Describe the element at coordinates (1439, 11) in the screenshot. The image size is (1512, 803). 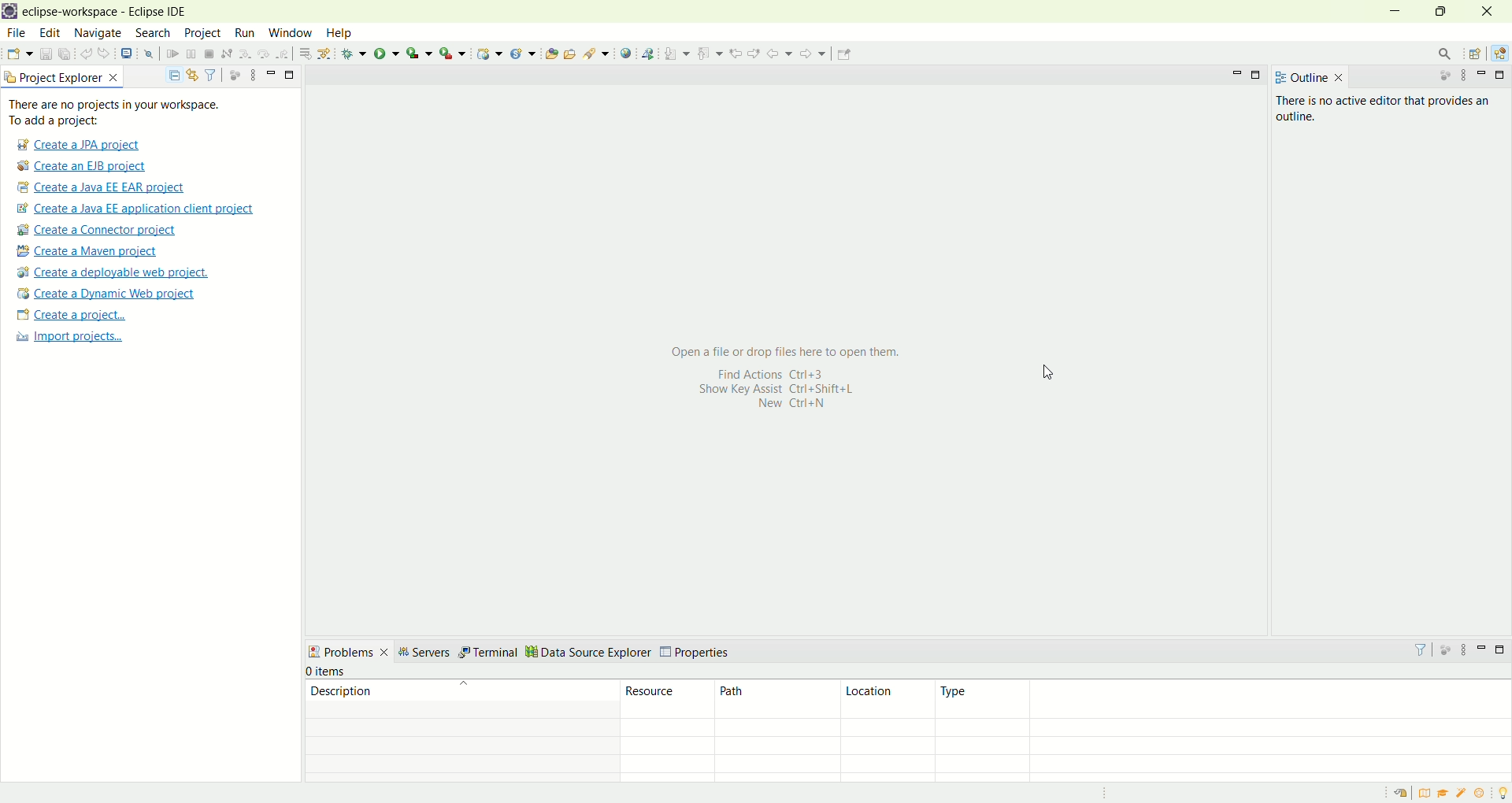
I see `maximize` at that location.